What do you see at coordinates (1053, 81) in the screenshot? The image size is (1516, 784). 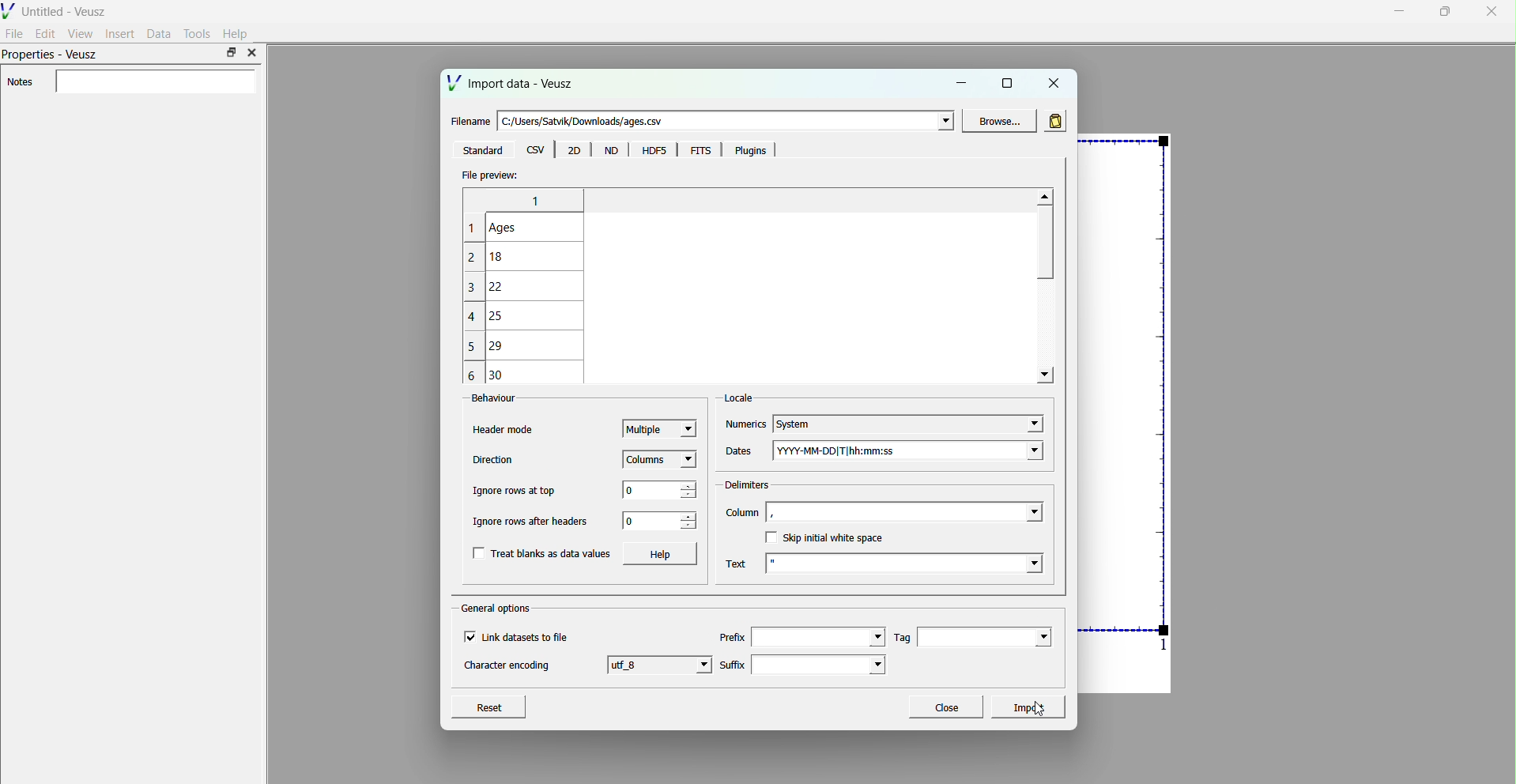 I see `close` at bounding box center [1053, 81].